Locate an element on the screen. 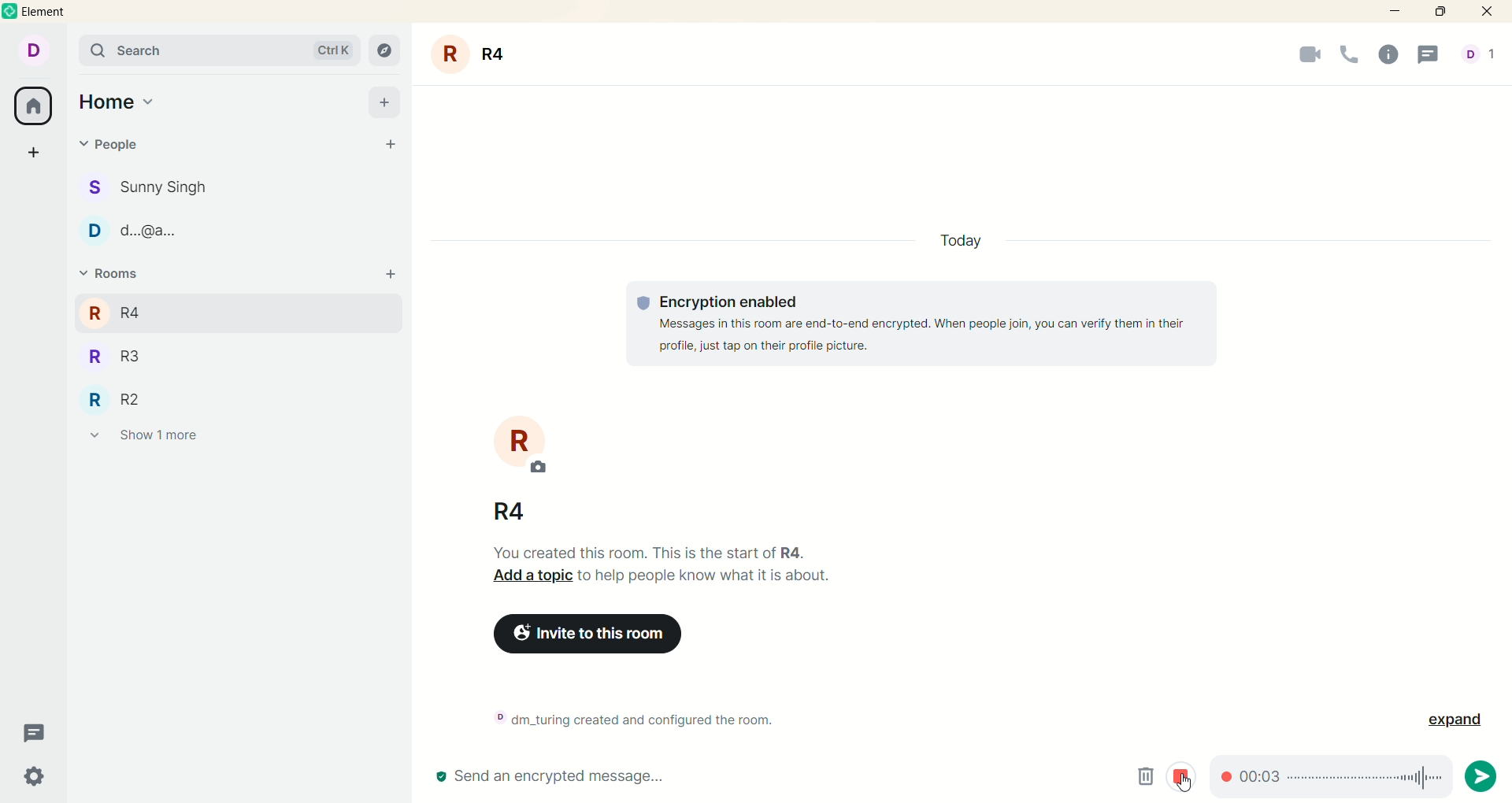 This screenshot has height=803, width=1512. people is located at coordinates (163, 188).